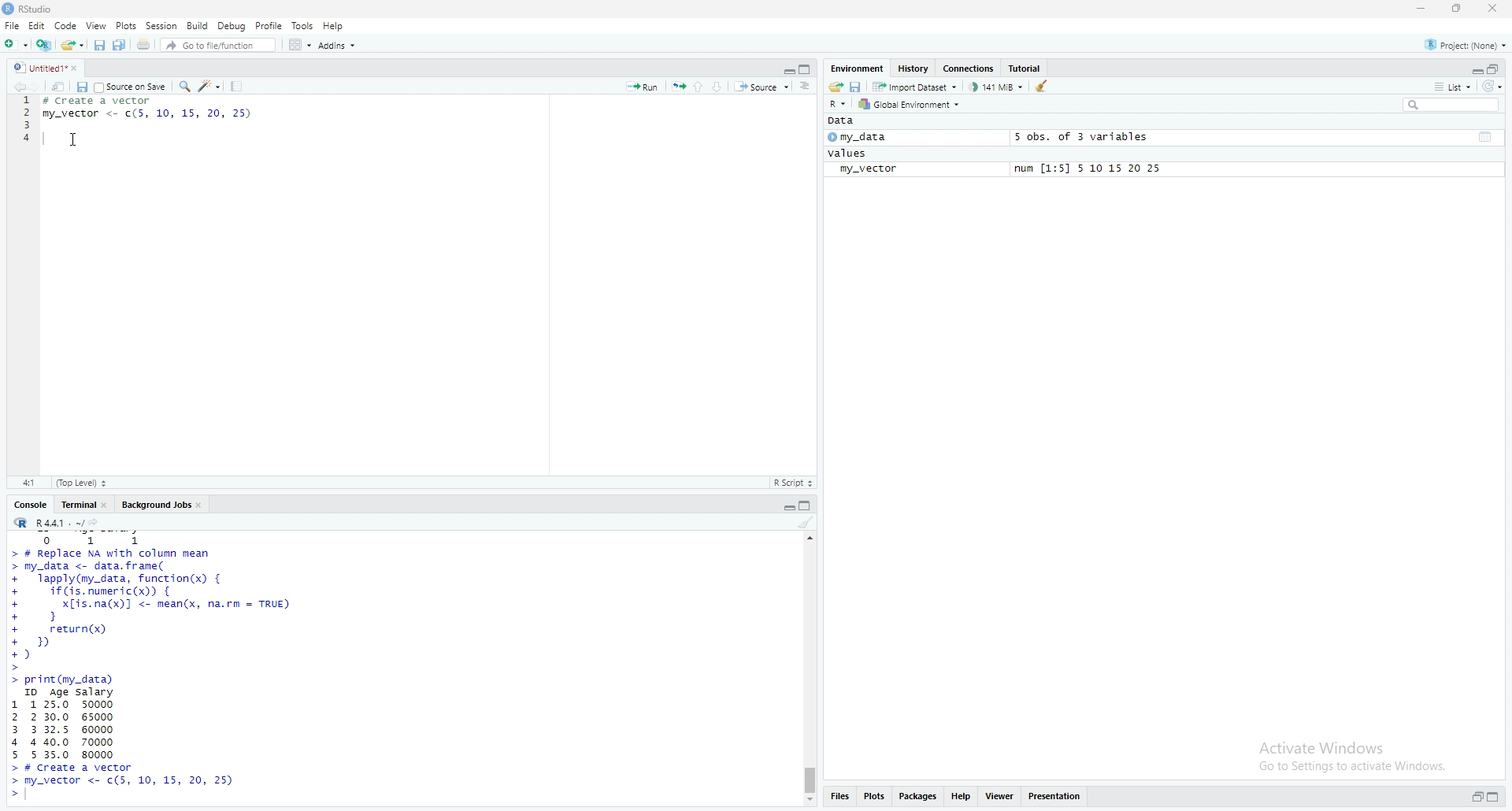 Image resolution: width=1512 pixels, height=811 pixels. Describe the element at coordinates (677, 84) in the screenshot. I see `rerun the previous code region` at that location.